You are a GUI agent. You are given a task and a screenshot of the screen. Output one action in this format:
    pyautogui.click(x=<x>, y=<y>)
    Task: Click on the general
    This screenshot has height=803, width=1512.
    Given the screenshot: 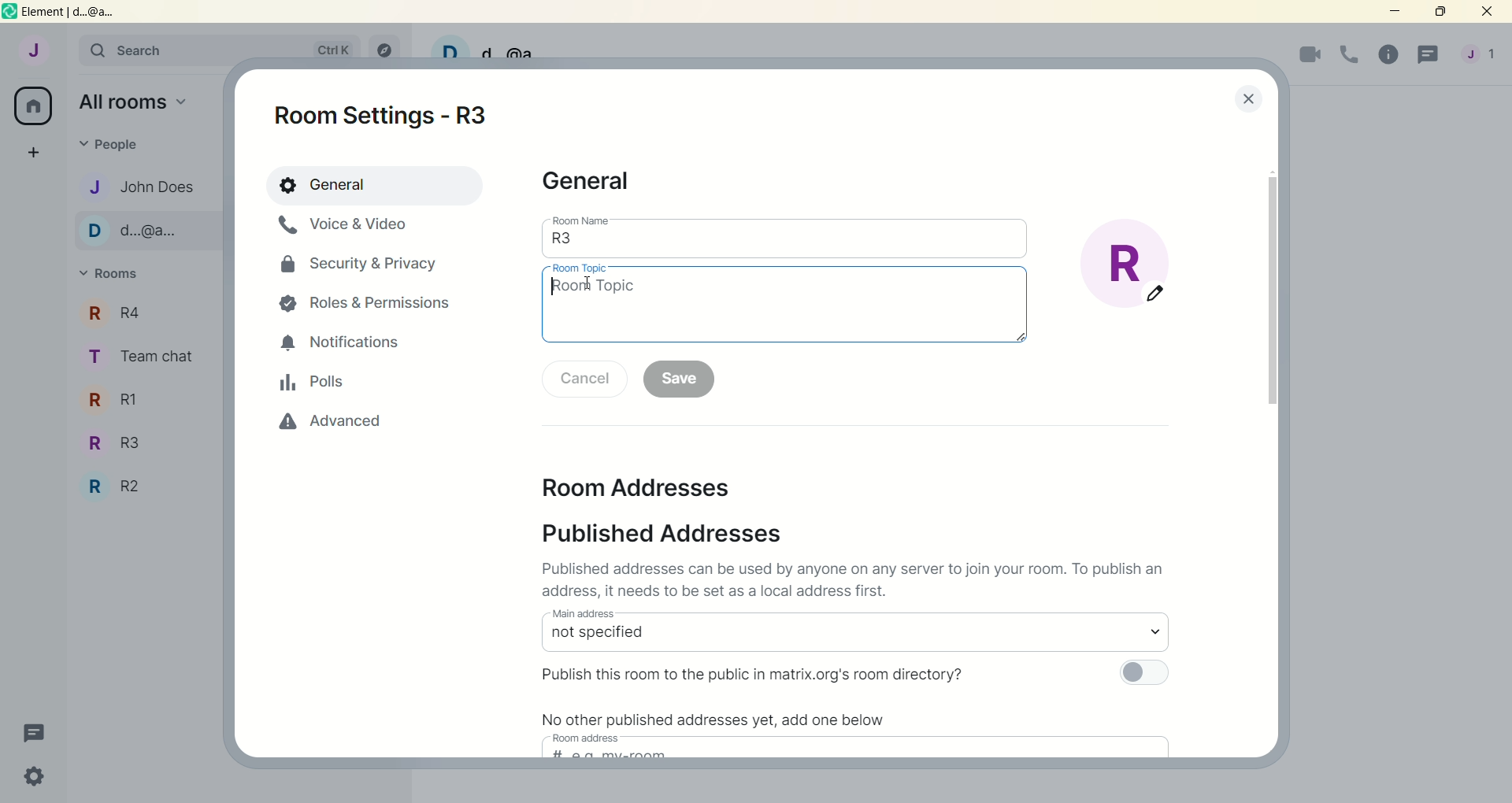 What is the action you would take?
    pyautogui.click(x=376, y=184)
    